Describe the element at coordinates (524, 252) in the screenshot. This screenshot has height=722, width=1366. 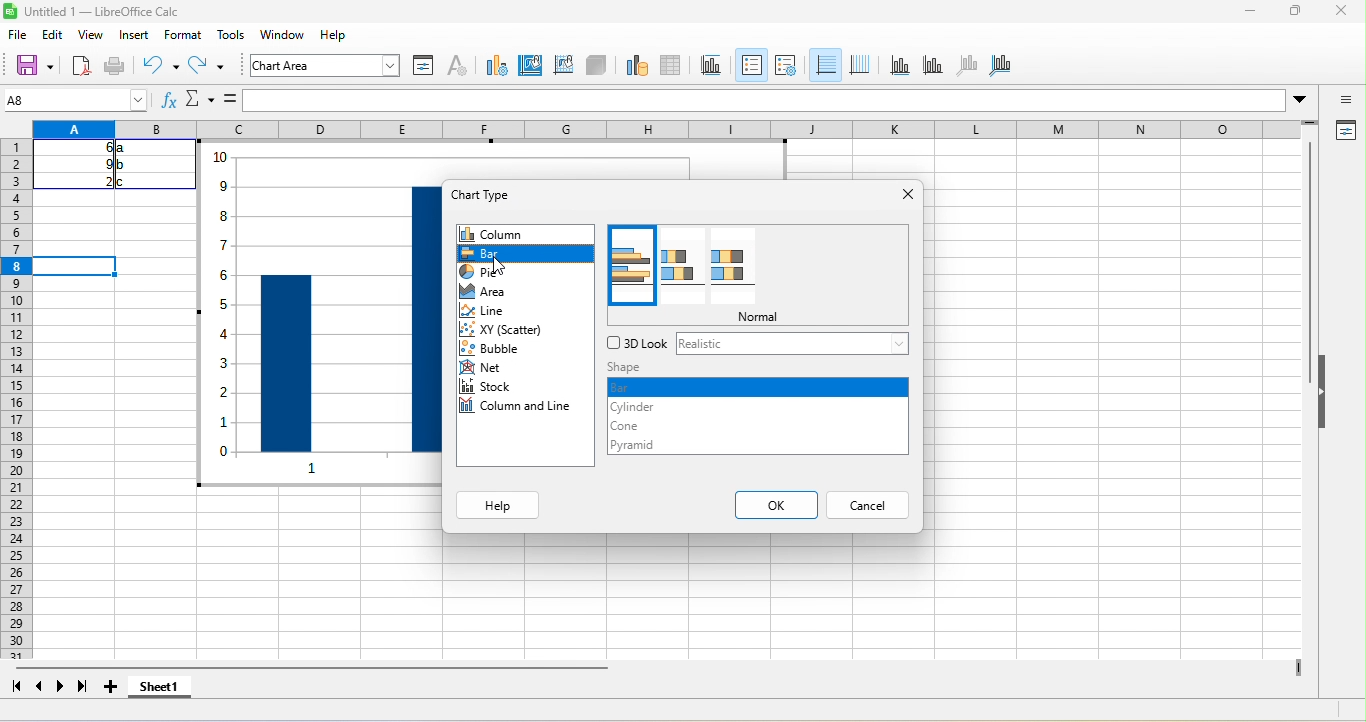
I see `select bar` at that location.